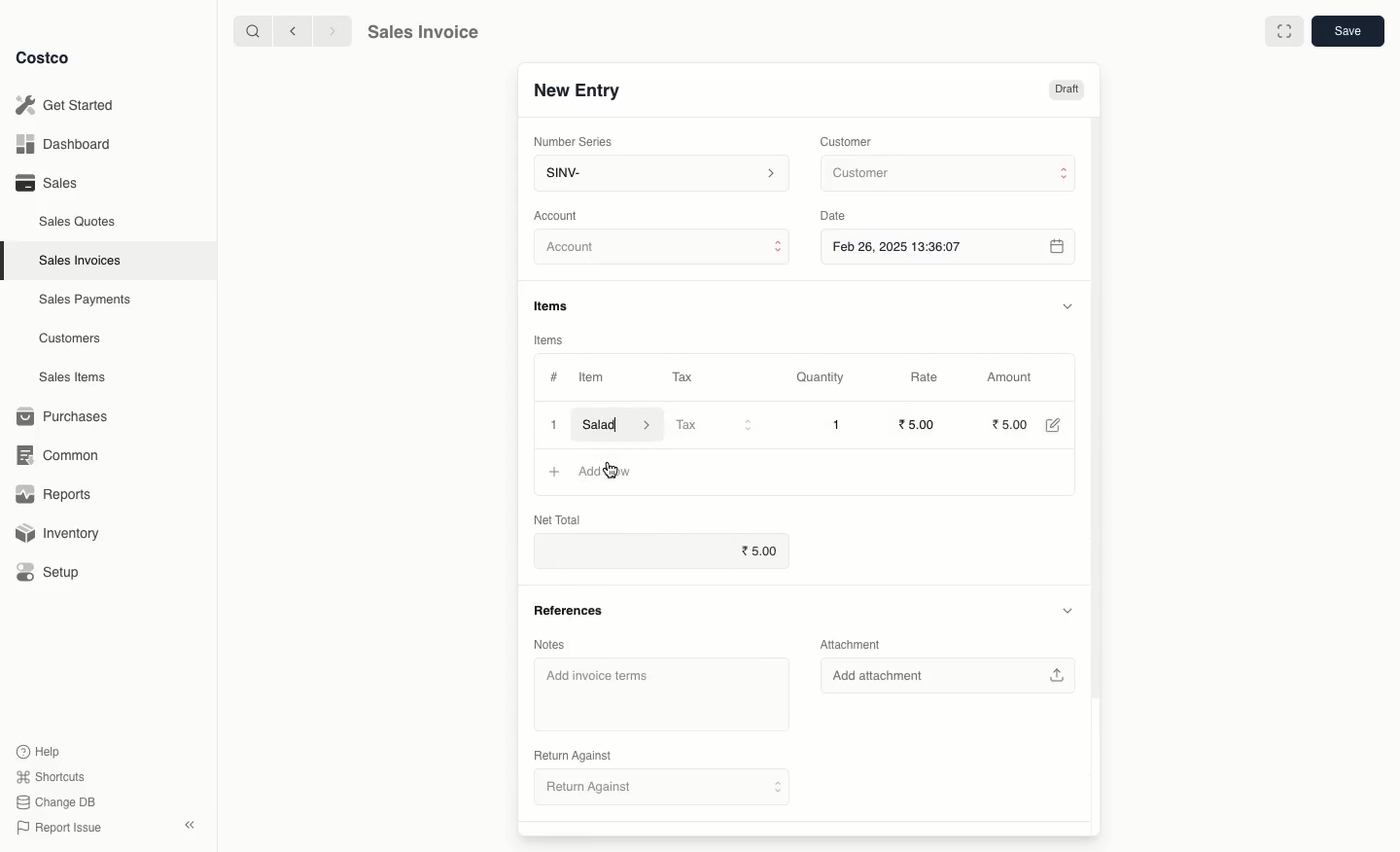 The height and width of the screenshot is (852, 1400). What do you see at coordinates (81, 261) in the screenshot?
I see `Sales Invoices` at bounding box center [81, 261].